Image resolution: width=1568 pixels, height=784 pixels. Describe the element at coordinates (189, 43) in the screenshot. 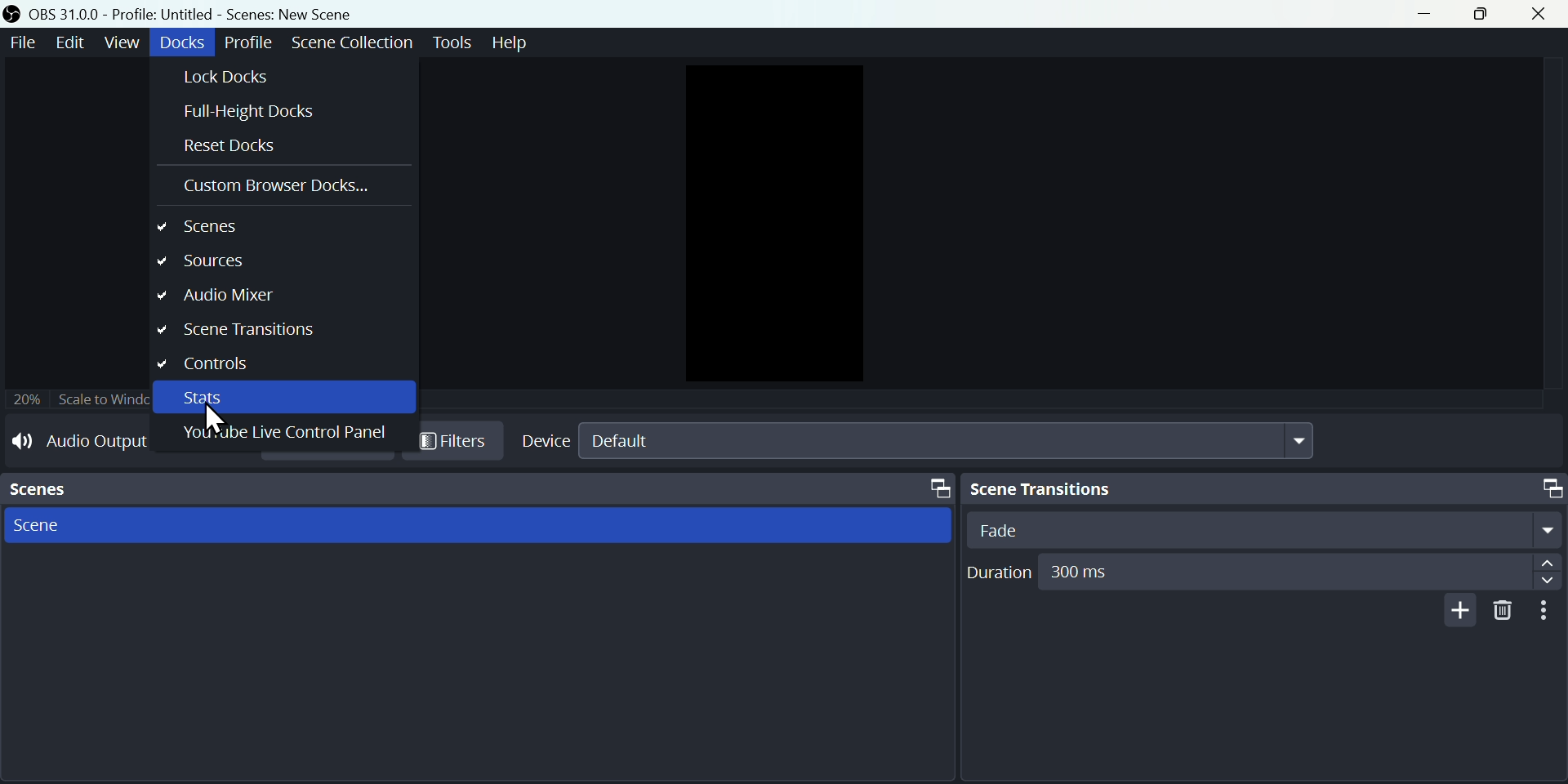

I see `91606` at that location.